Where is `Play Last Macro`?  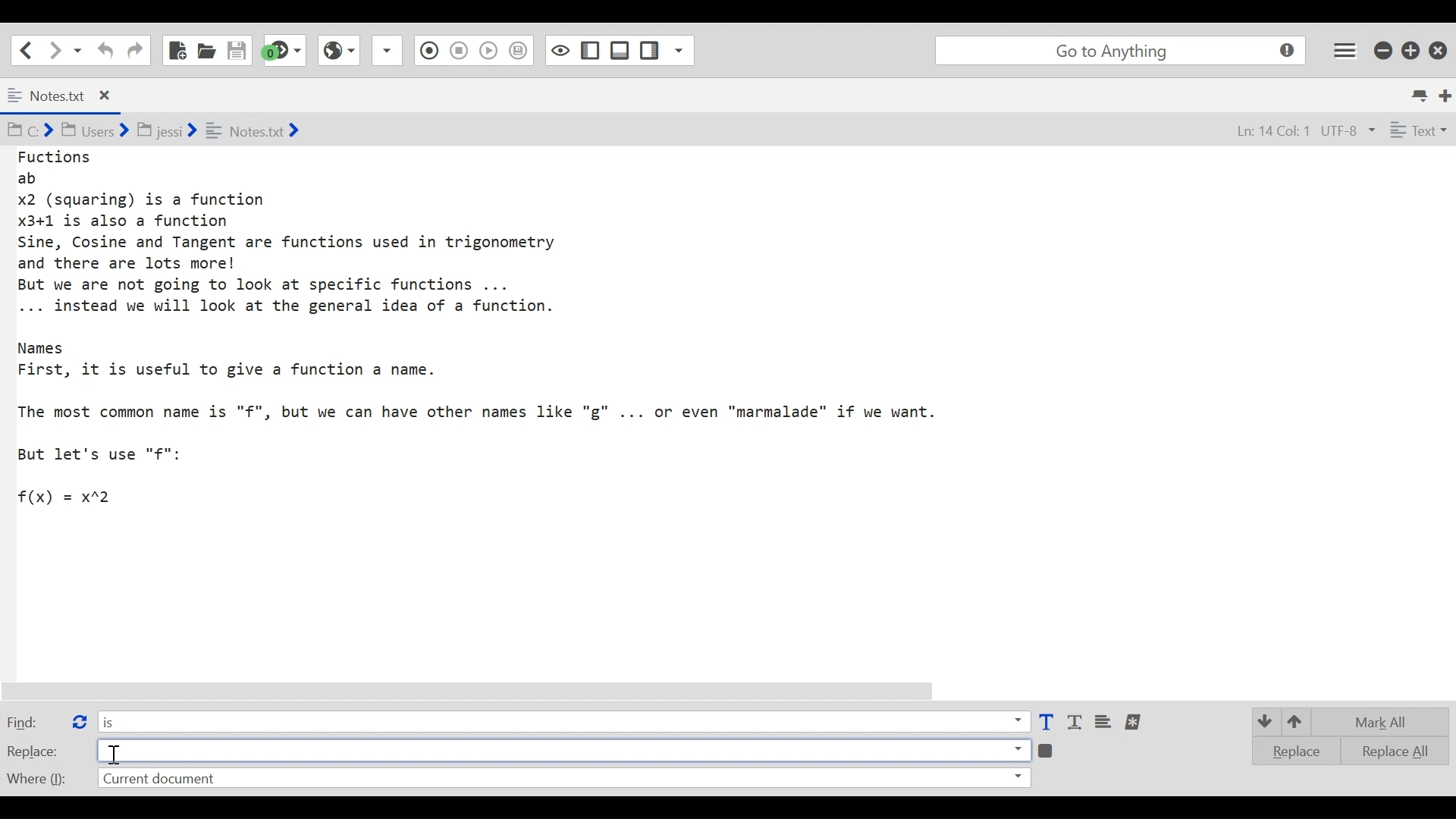
Play Last Macro is located at coordinates (338, 49).